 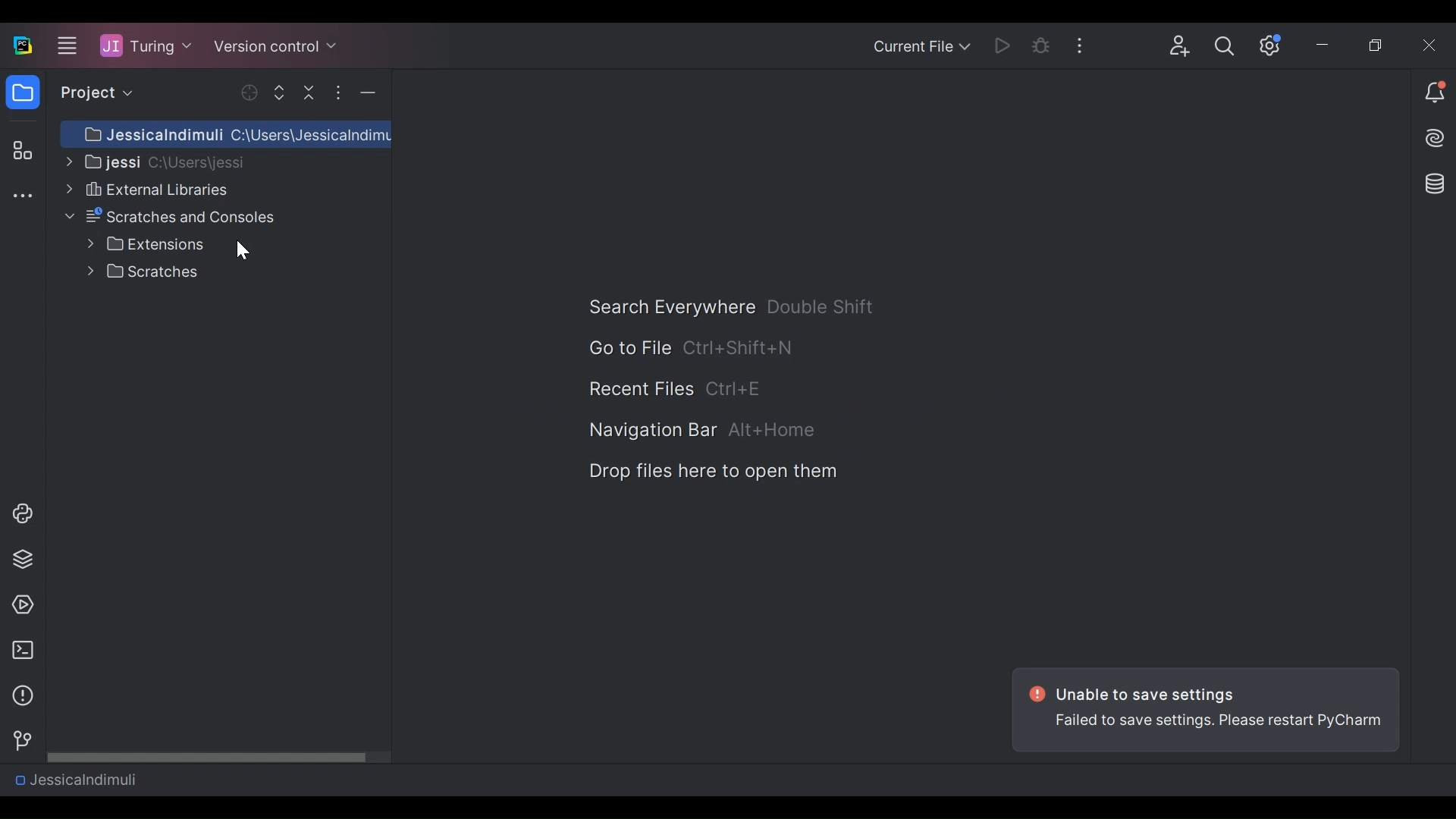 I want to click on Scratches and Console File, so click(x=173, y=217).